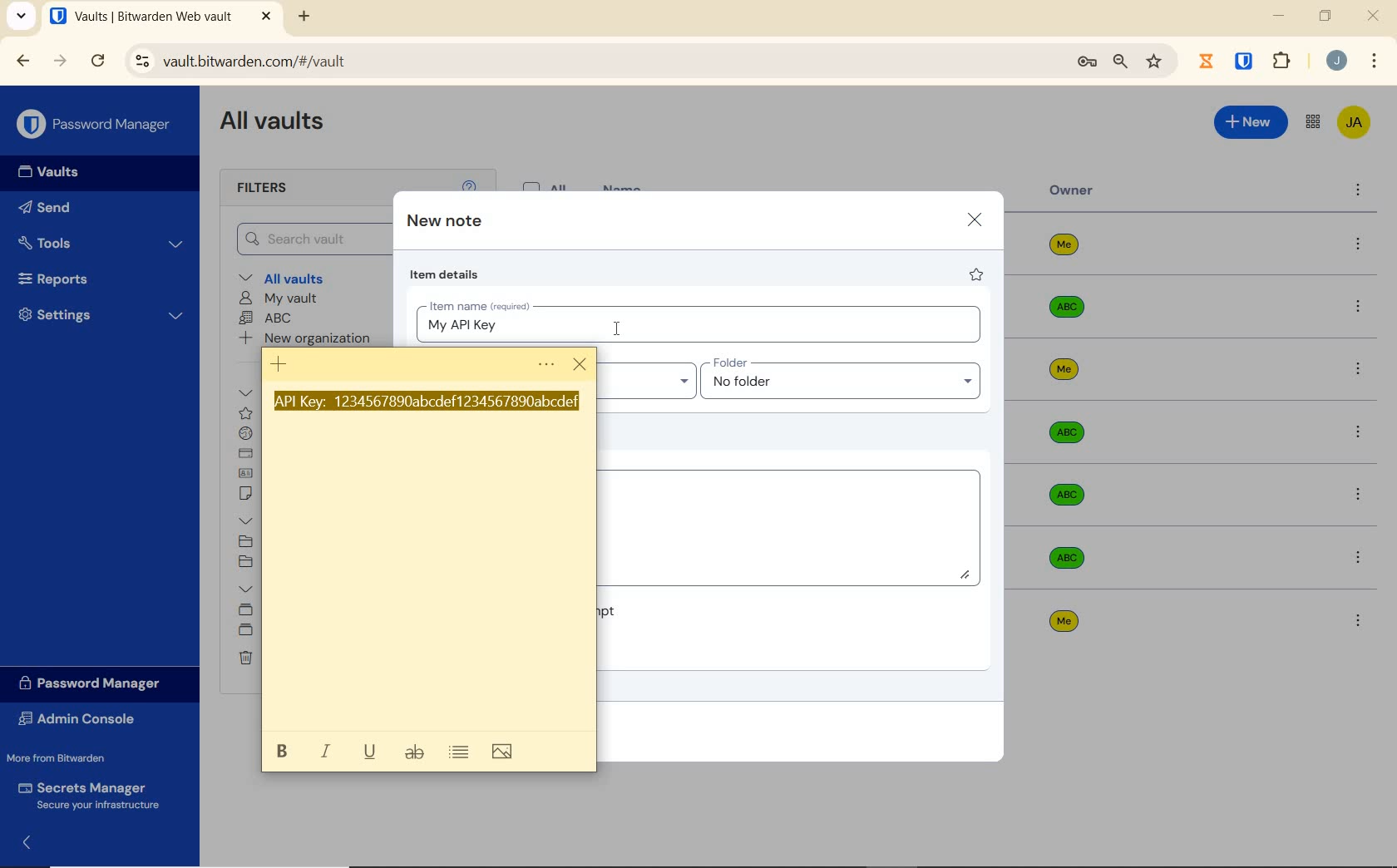 This screenshot has height=868, width=1397. Describe the element at coordinates (445, 277) in the screenshot. I see `item details` at that location.